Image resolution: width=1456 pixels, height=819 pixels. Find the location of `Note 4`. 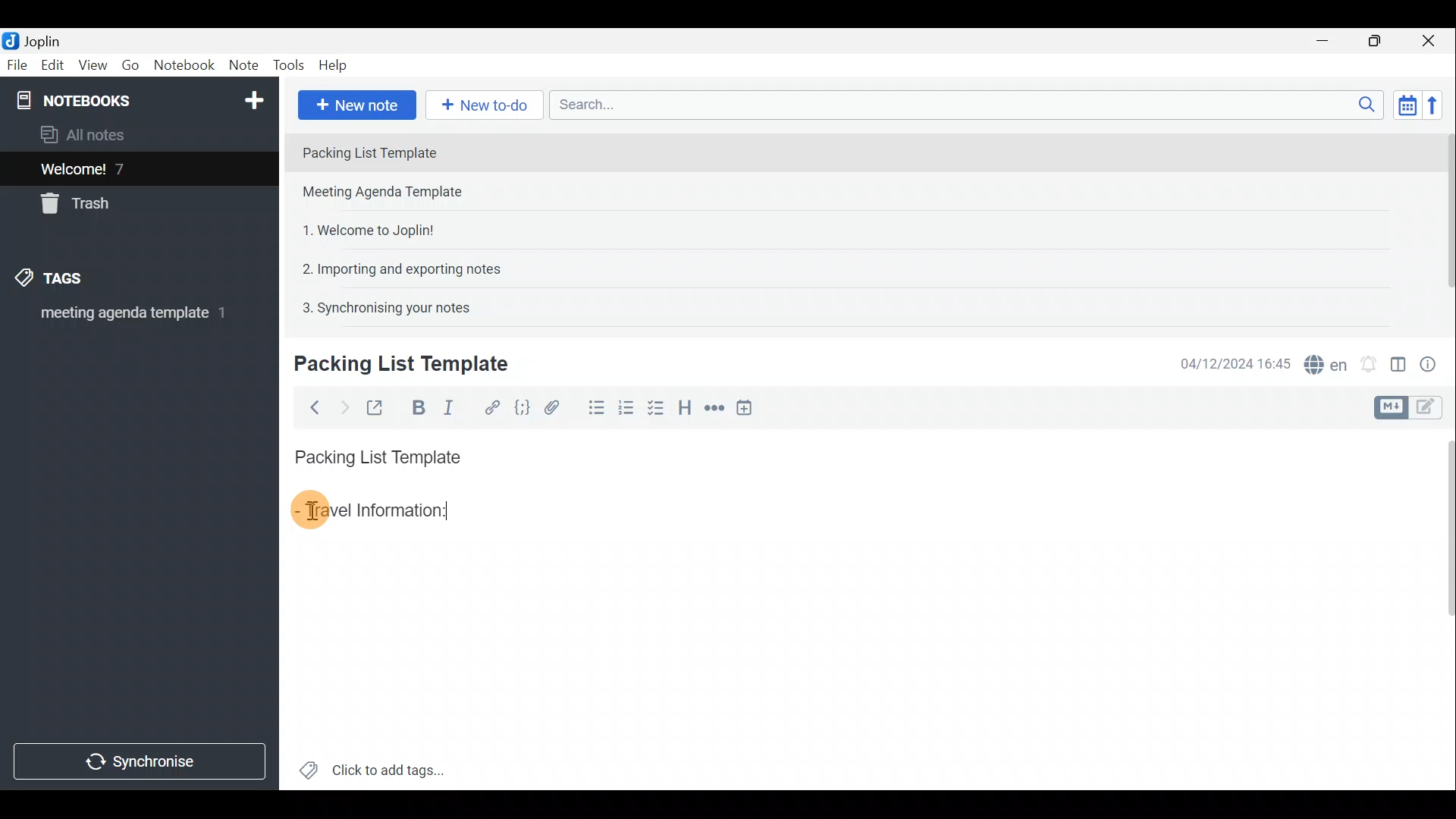

Note 4 is located at coordinates (394, 266).